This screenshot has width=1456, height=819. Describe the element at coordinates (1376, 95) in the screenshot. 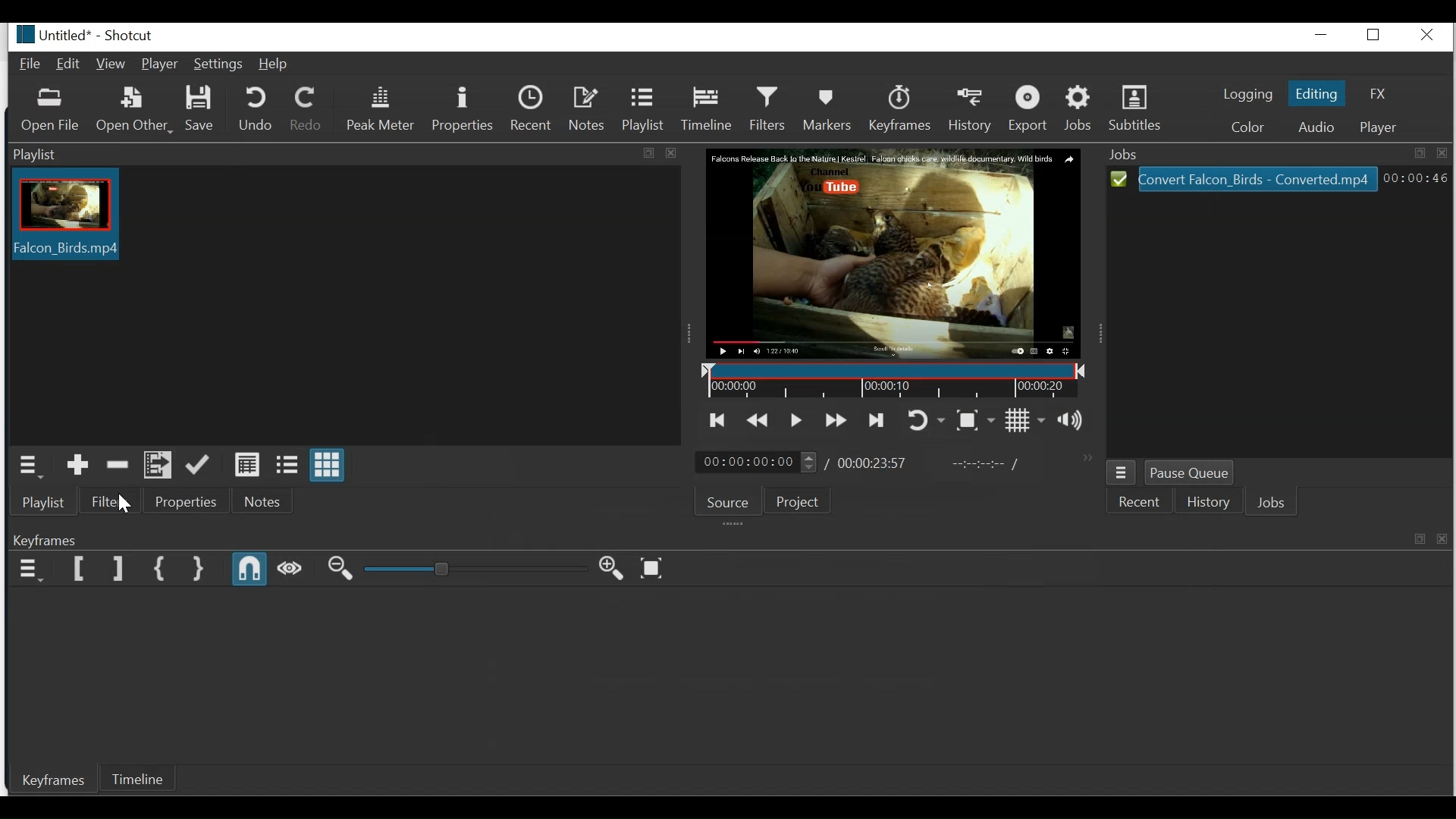

I see `FX` at that location.